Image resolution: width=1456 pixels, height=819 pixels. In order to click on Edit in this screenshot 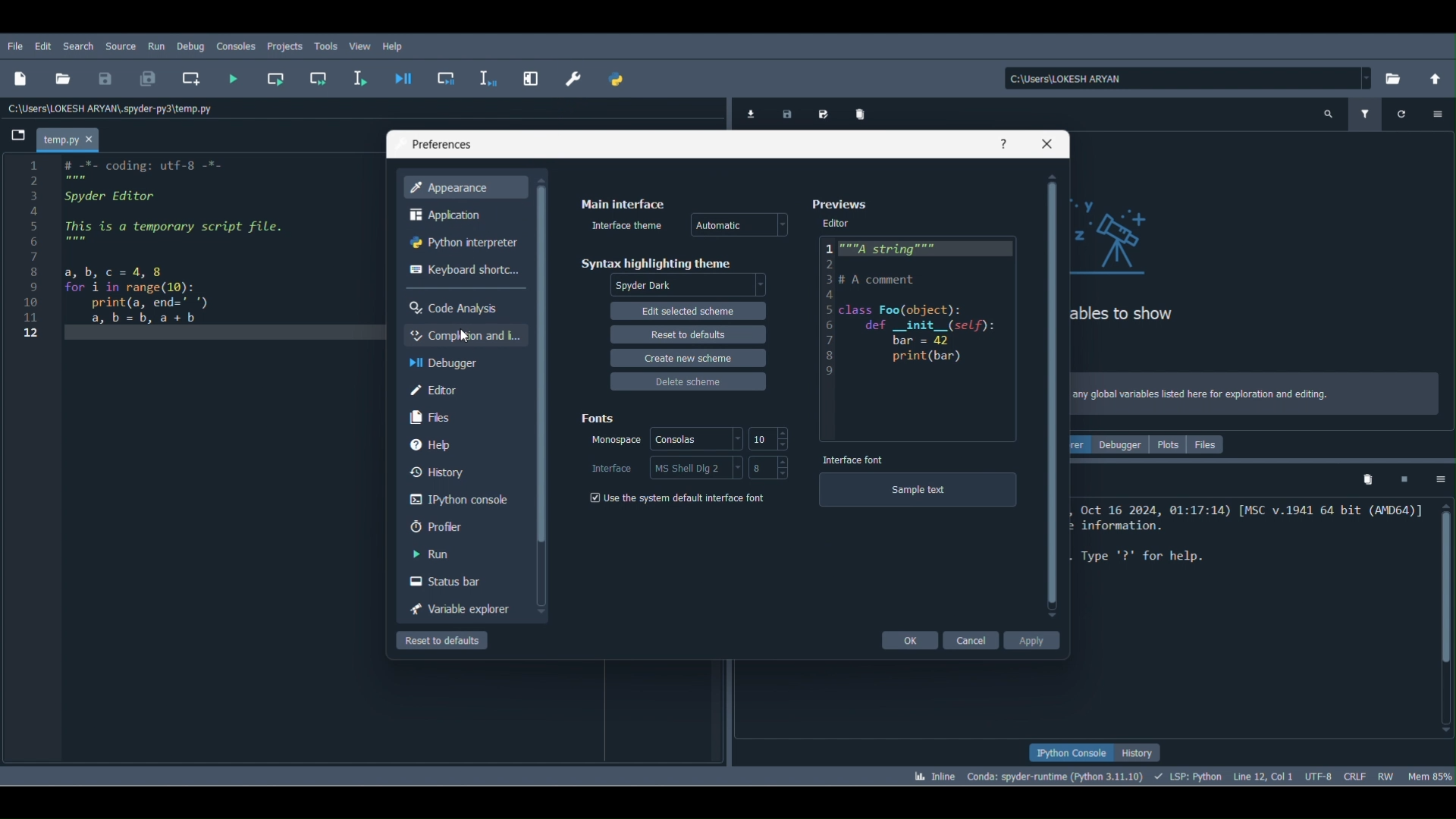, I will do `click(42, 45)`.